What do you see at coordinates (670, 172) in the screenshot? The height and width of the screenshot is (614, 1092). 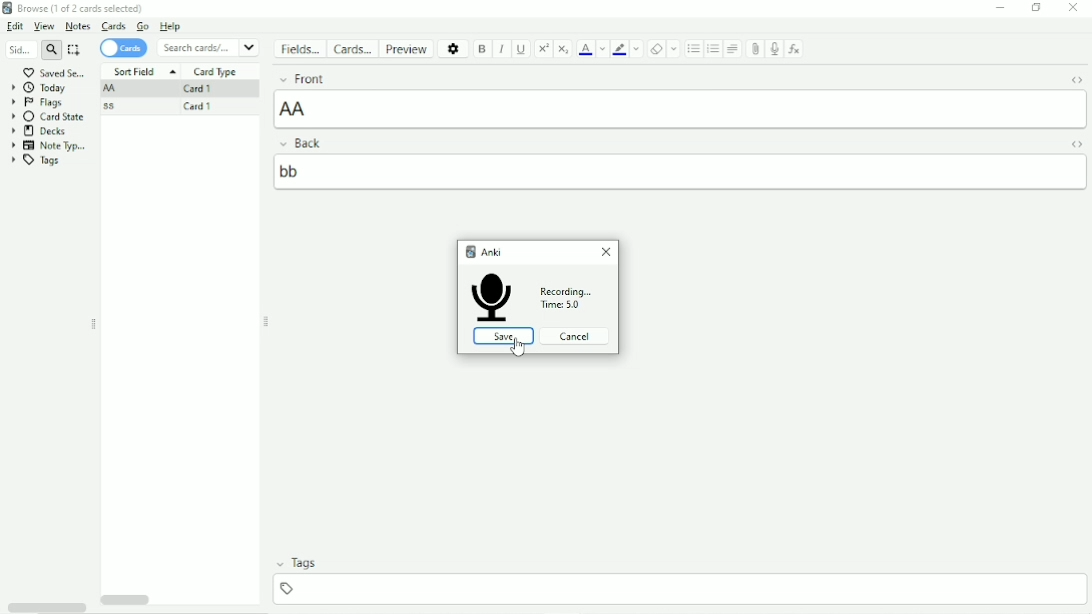 I see `bb` at bounding box center [670, 172].